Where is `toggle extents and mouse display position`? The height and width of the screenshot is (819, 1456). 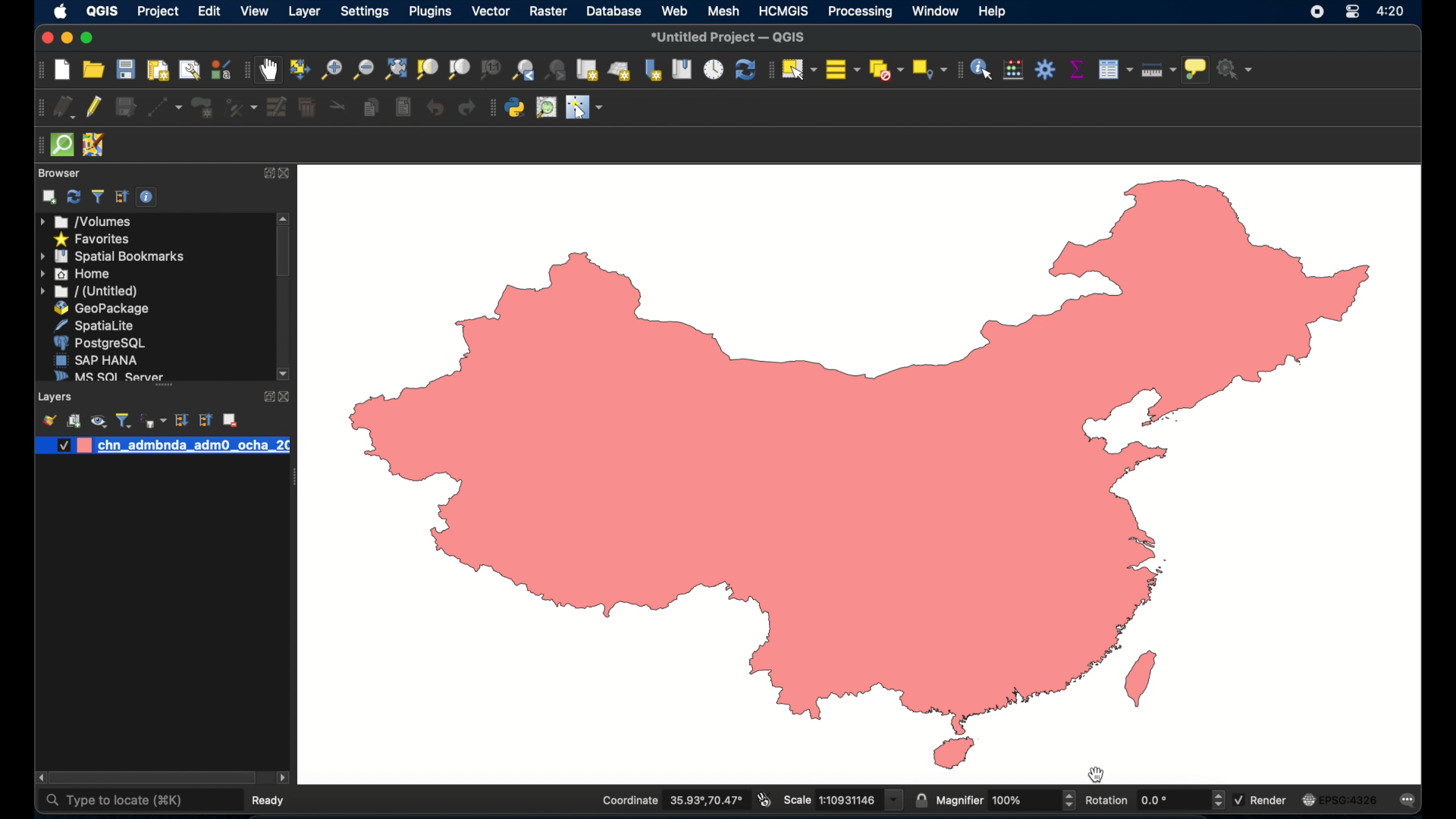
toggle extents and mouse display position is located at coordinates (764, 800).